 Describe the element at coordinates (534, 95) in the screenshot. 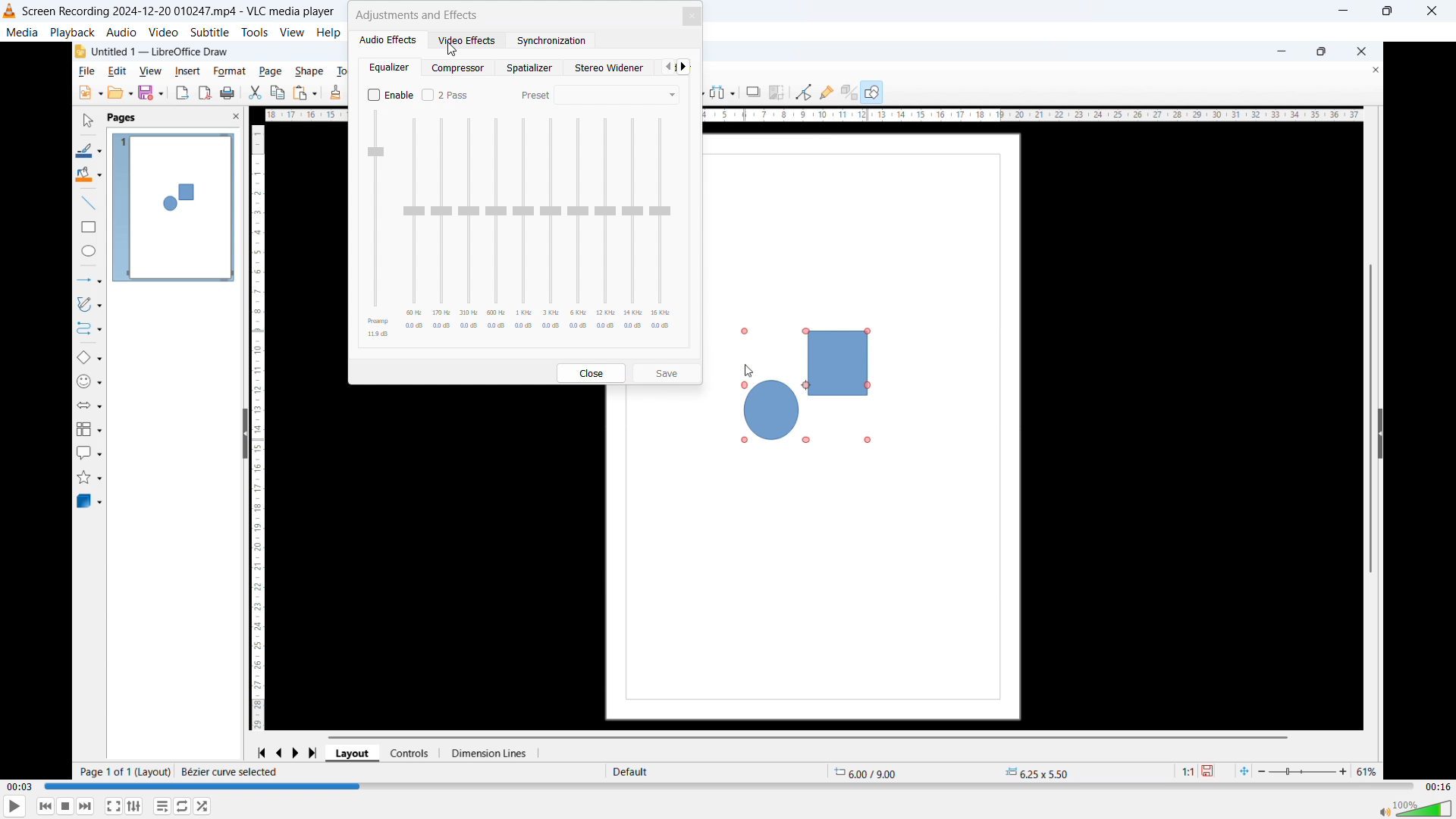

I see `Preset` at that location.